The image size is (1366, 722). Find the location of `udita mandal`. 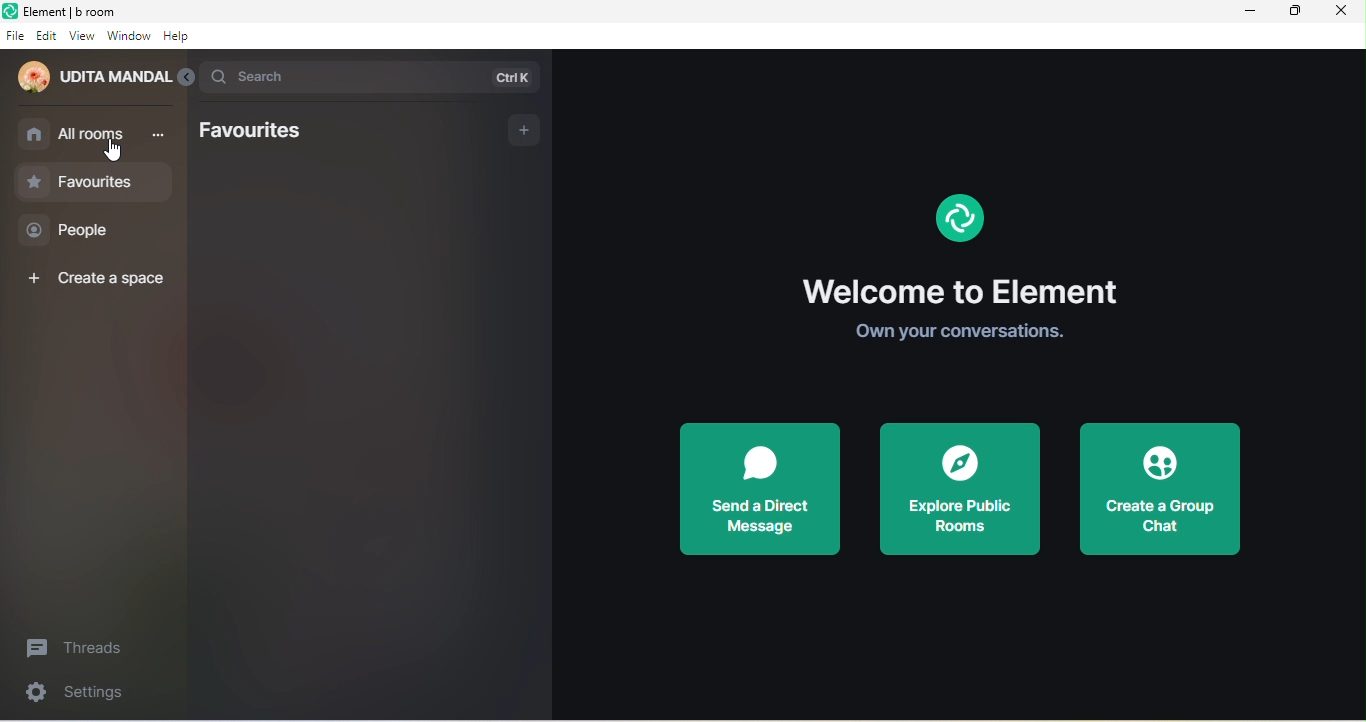

udita mandal is located at coordinates (89, 80).